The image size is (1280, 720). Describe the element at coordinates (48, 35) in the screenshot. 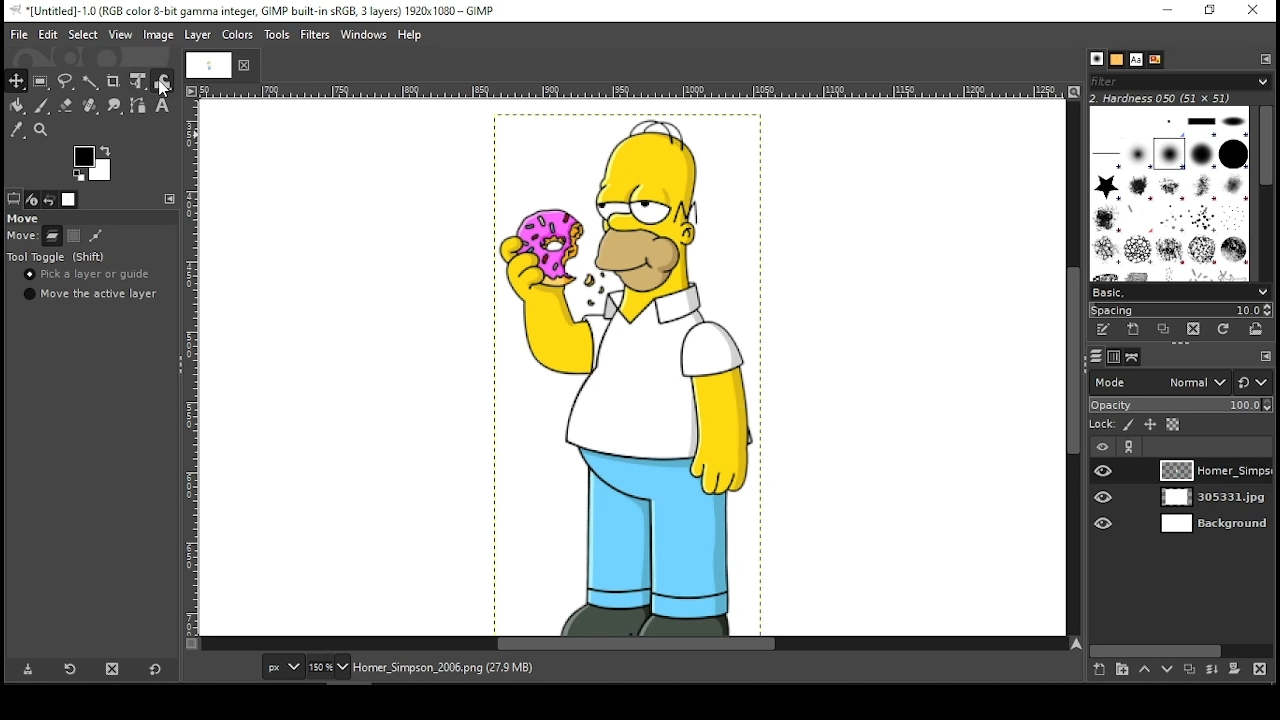

I see `edit` at that location.